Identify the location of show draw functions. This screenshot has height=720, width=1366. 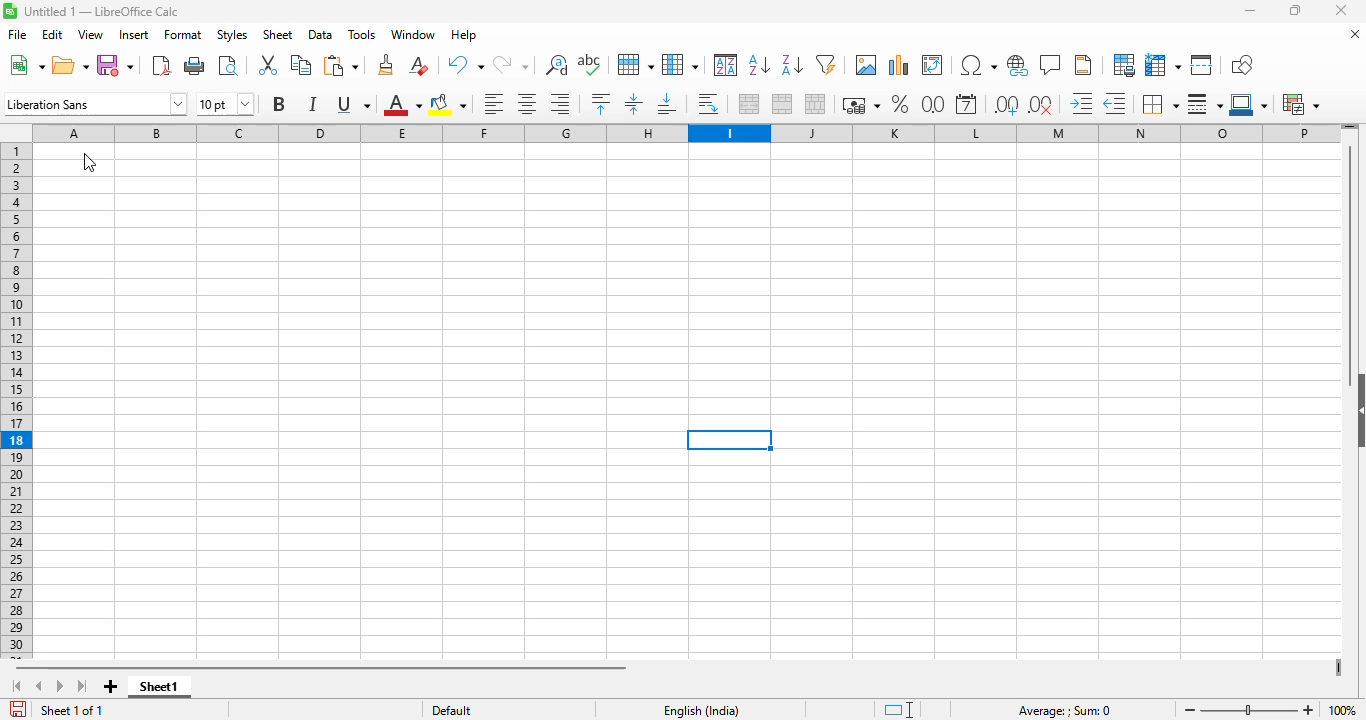
(1241, 64).